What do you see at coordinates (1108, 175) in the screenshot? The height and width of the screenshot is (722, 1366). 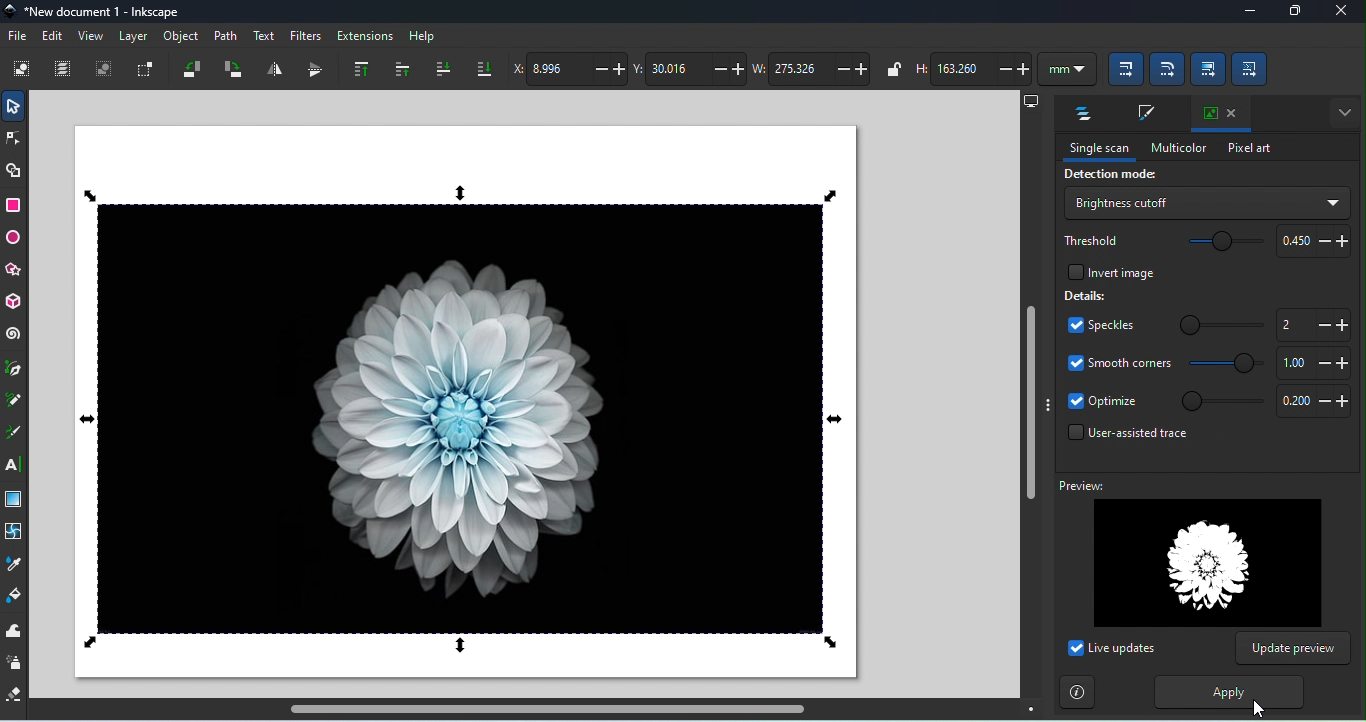 I see `Detection mode` at bounding box center [1108, 175].